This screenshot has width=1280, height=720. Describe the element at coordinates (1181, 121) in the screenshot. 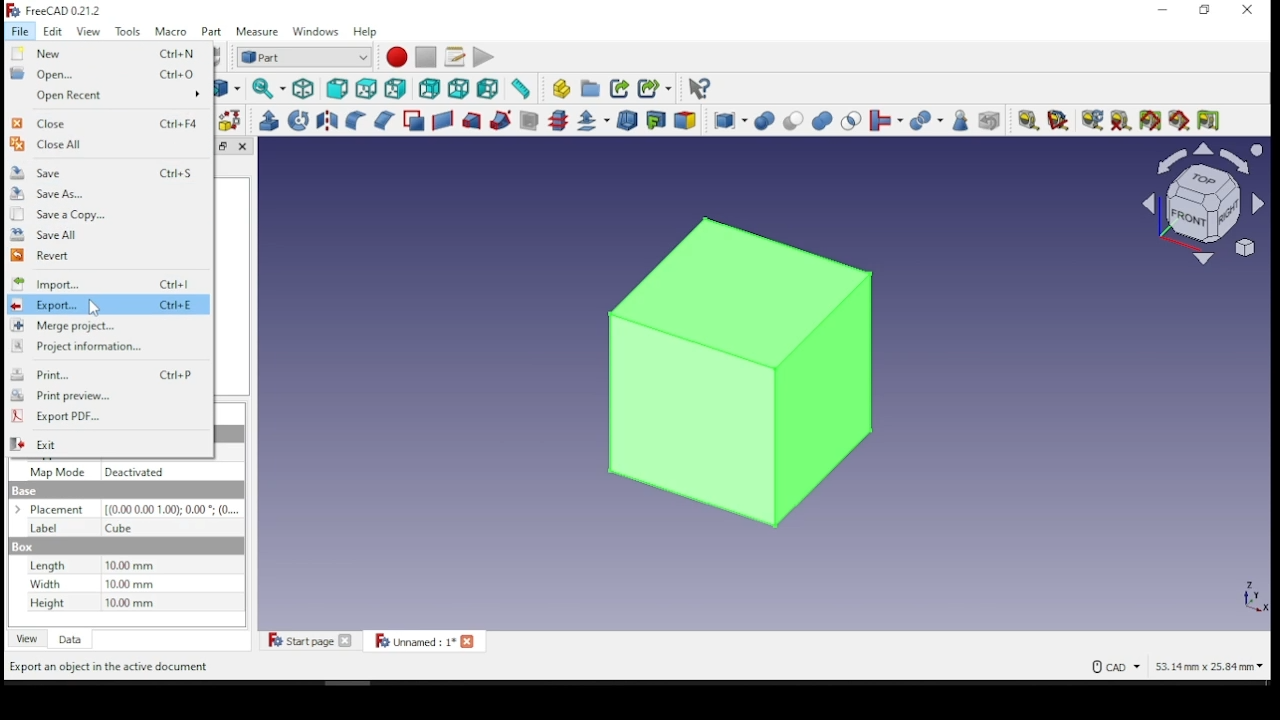

I see `toggle 3D` at that location.